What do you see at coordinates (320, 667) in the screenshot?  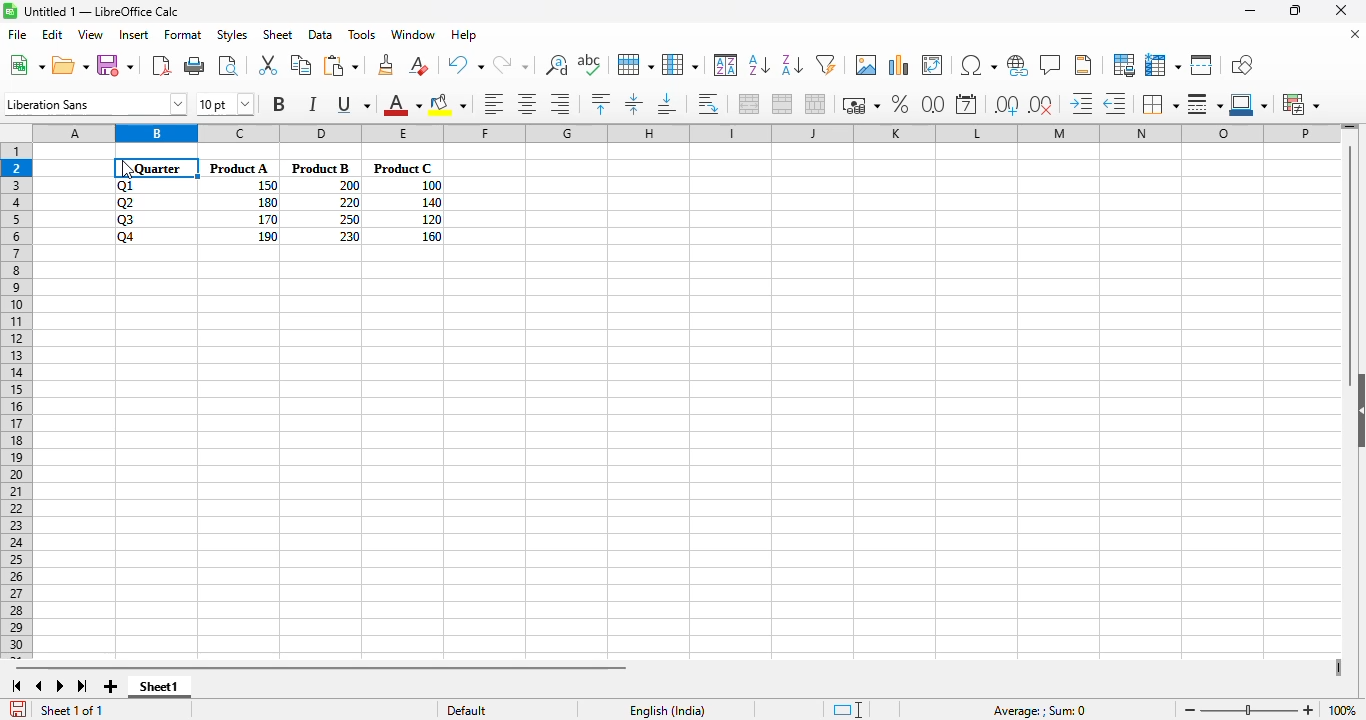 I see `horizontal scroll bar` at bounding box center [320, 667].